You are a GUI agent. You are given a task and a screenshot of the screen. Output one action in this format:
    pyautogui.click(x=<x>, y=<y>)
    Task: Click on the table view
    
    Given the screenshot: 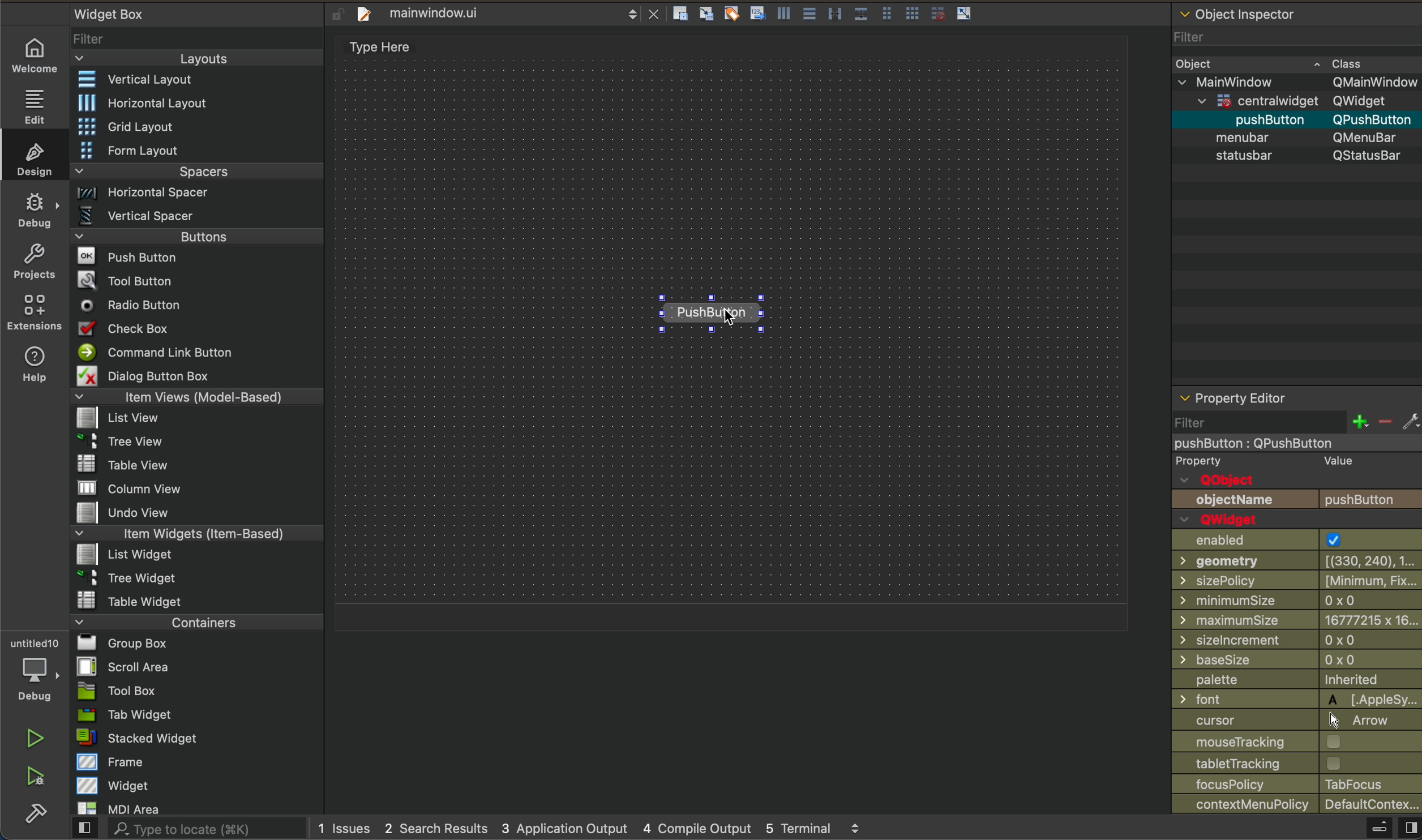 What is the action you would take?
    pyautogui.click(x=194, y=465)
    